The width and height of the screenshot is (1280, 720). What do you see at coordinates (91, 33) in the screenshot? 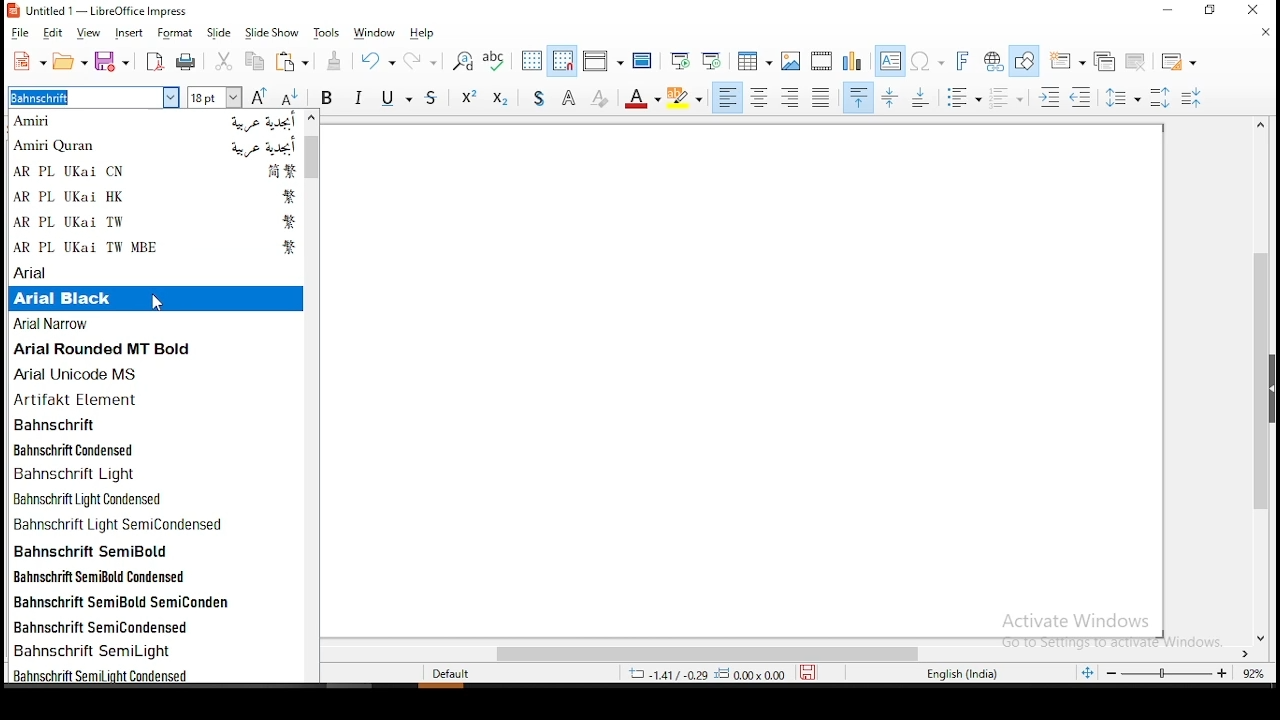
I see `view` at bounding box center [91, 33].